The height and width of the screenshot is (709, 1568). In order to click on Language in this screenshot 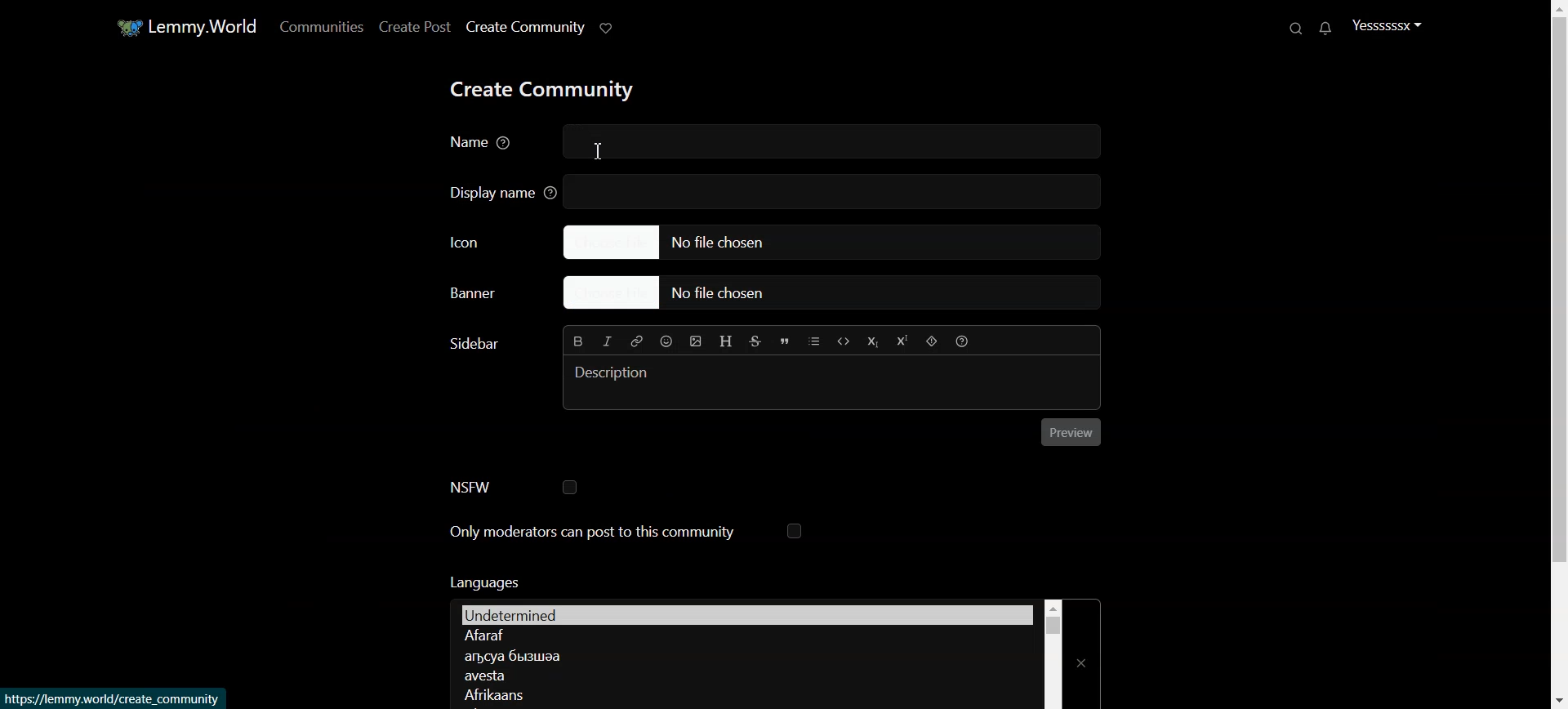, I will do `click(742, 655)`.